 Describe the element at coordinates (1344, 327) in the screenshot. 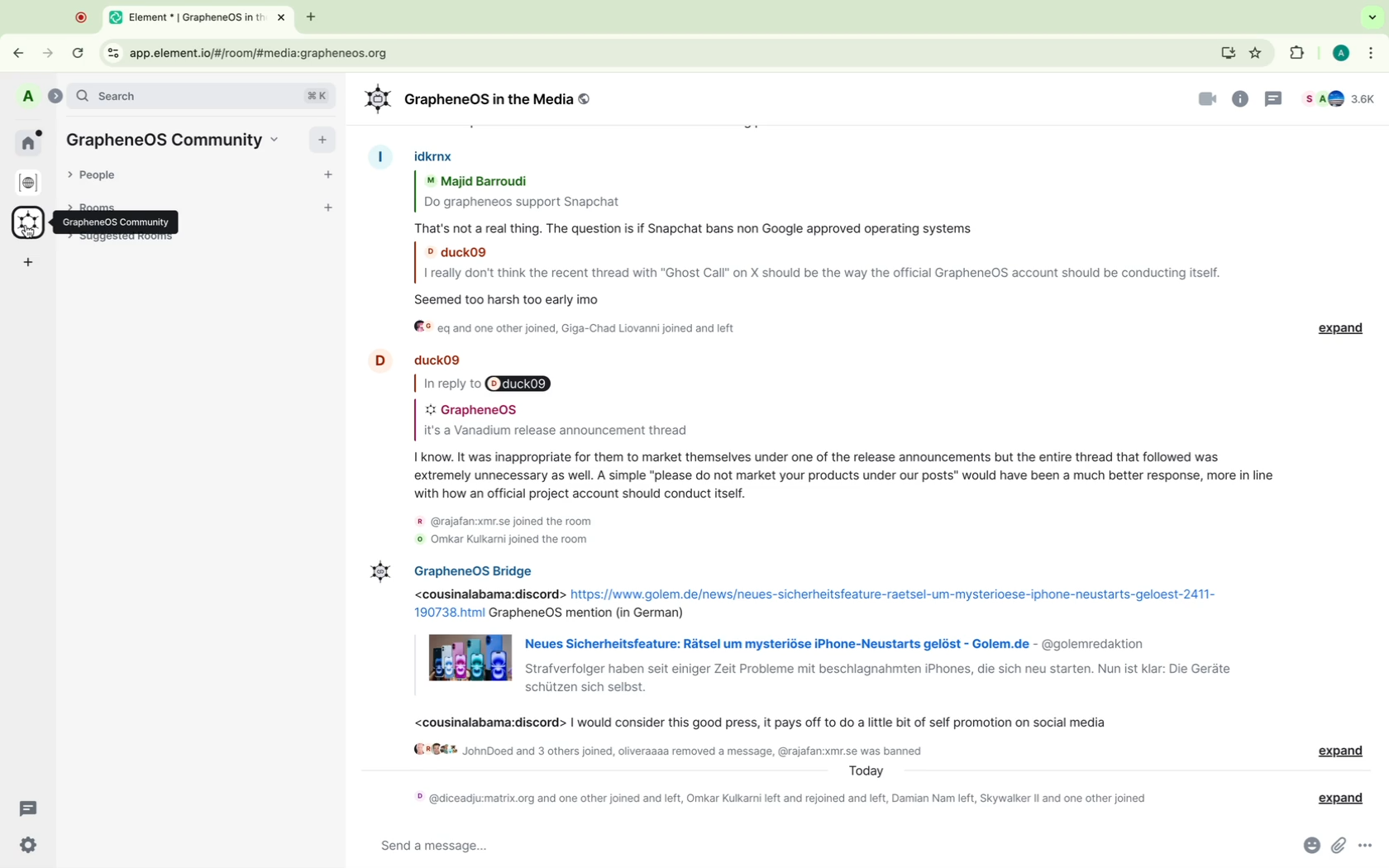

I see `expand` at that location.